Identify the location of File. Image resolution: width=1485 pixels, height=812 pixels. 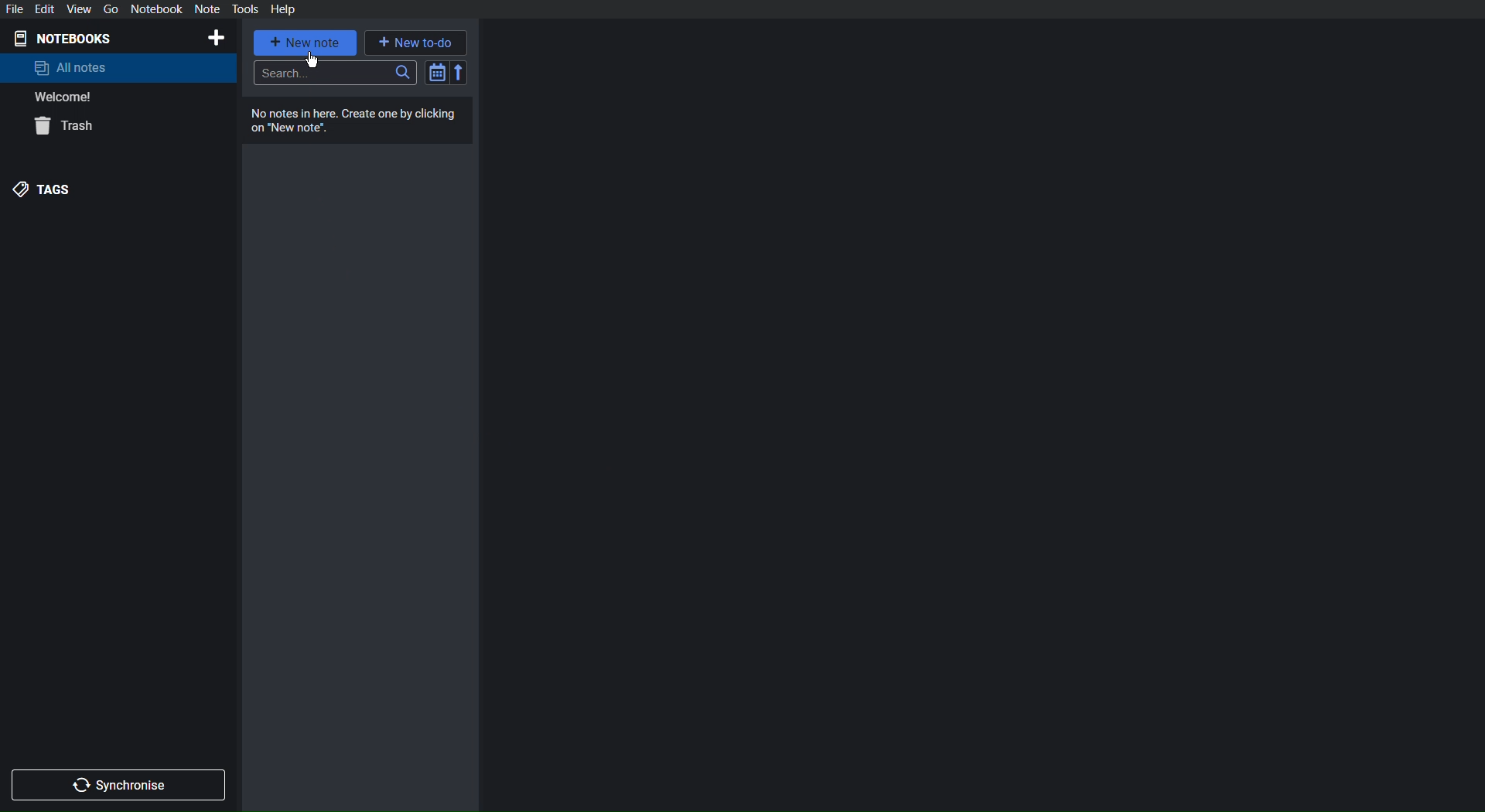
(17, 9).